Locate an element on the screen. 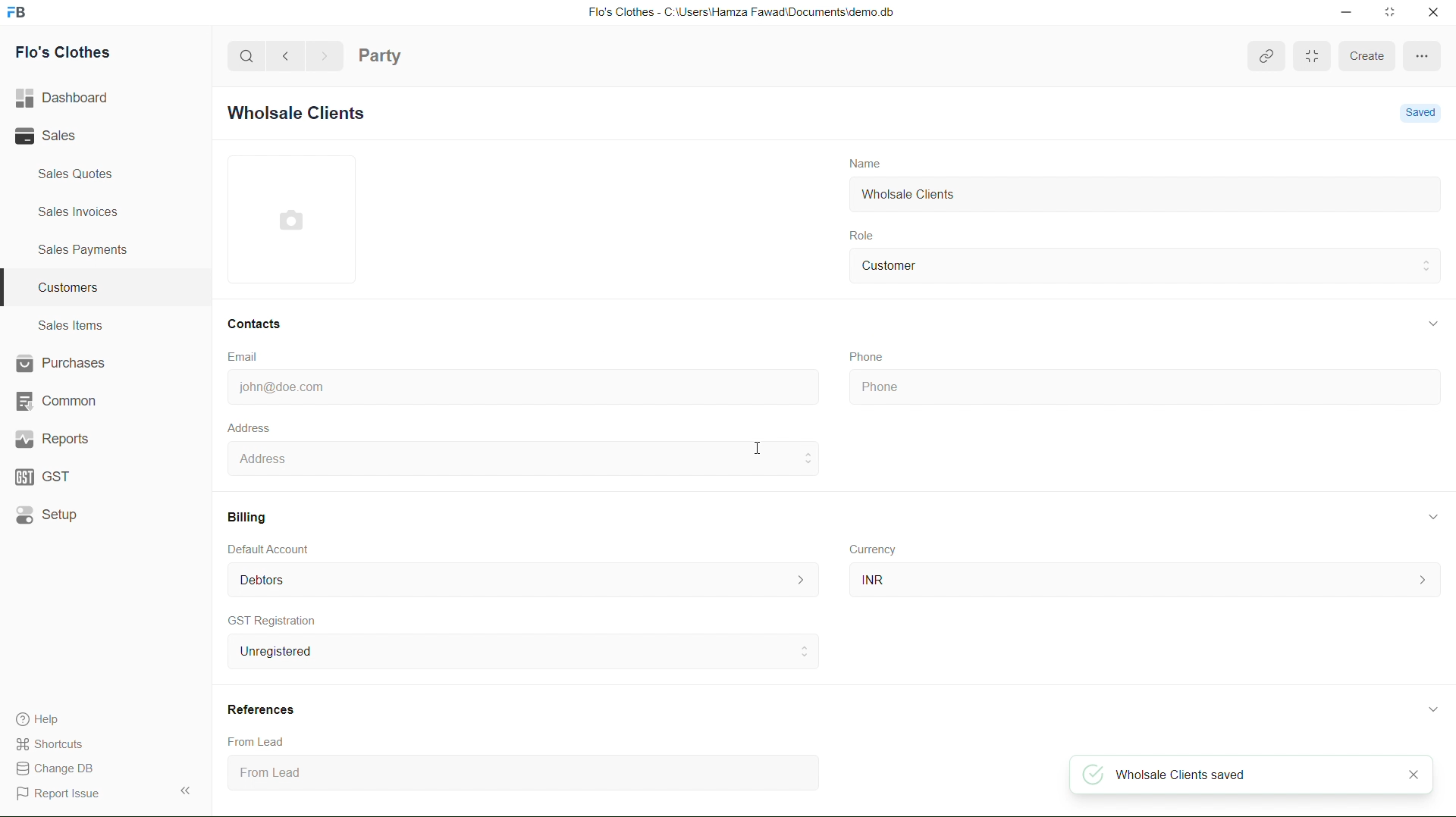 This screenshot has height=817, width=1456. Expand is located at coordinates (187, 789).